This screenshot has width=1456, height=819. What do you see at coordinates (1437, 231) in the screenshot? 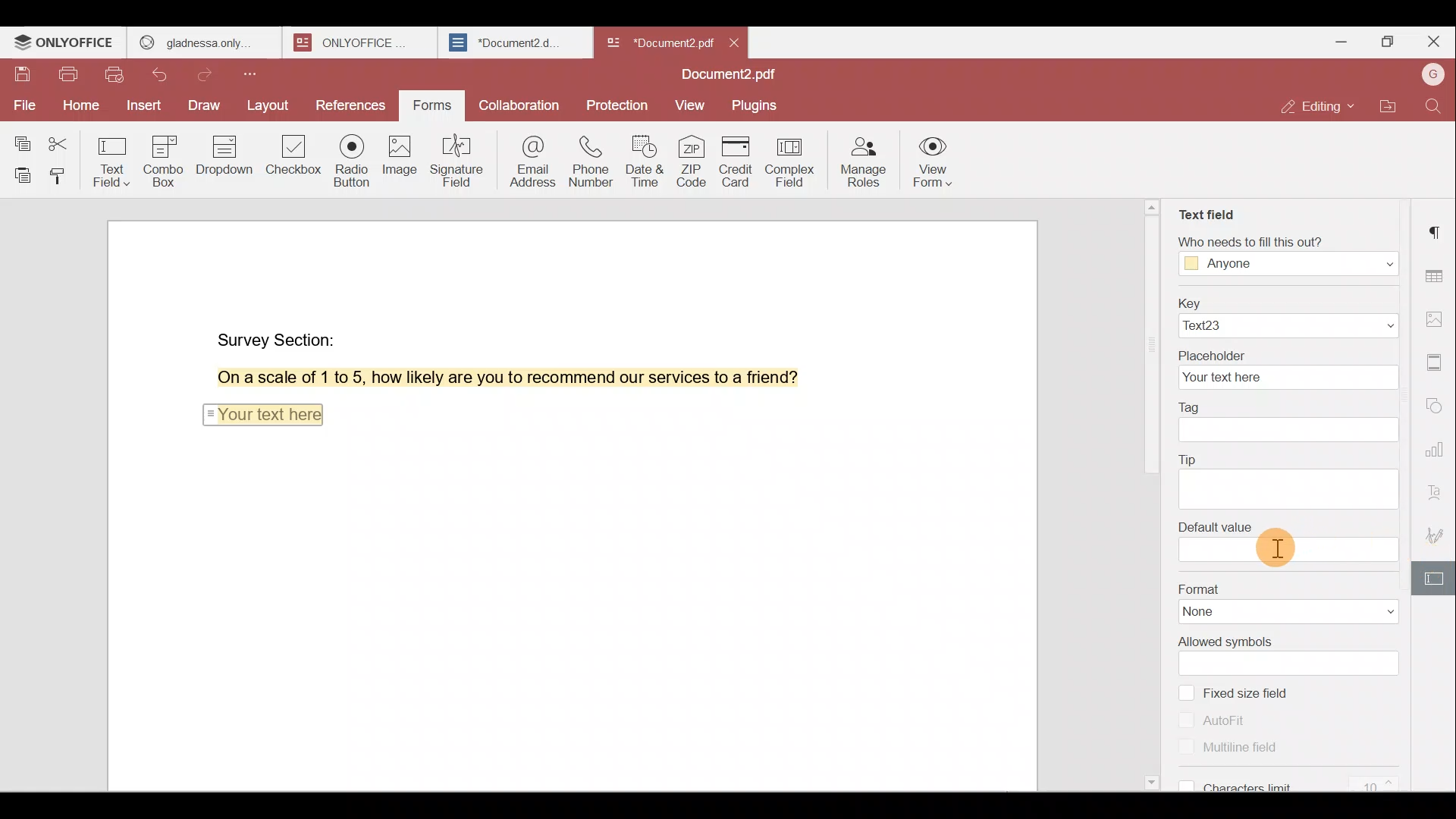
I see `Paragraph settings` at bounding box center [1437, 231].